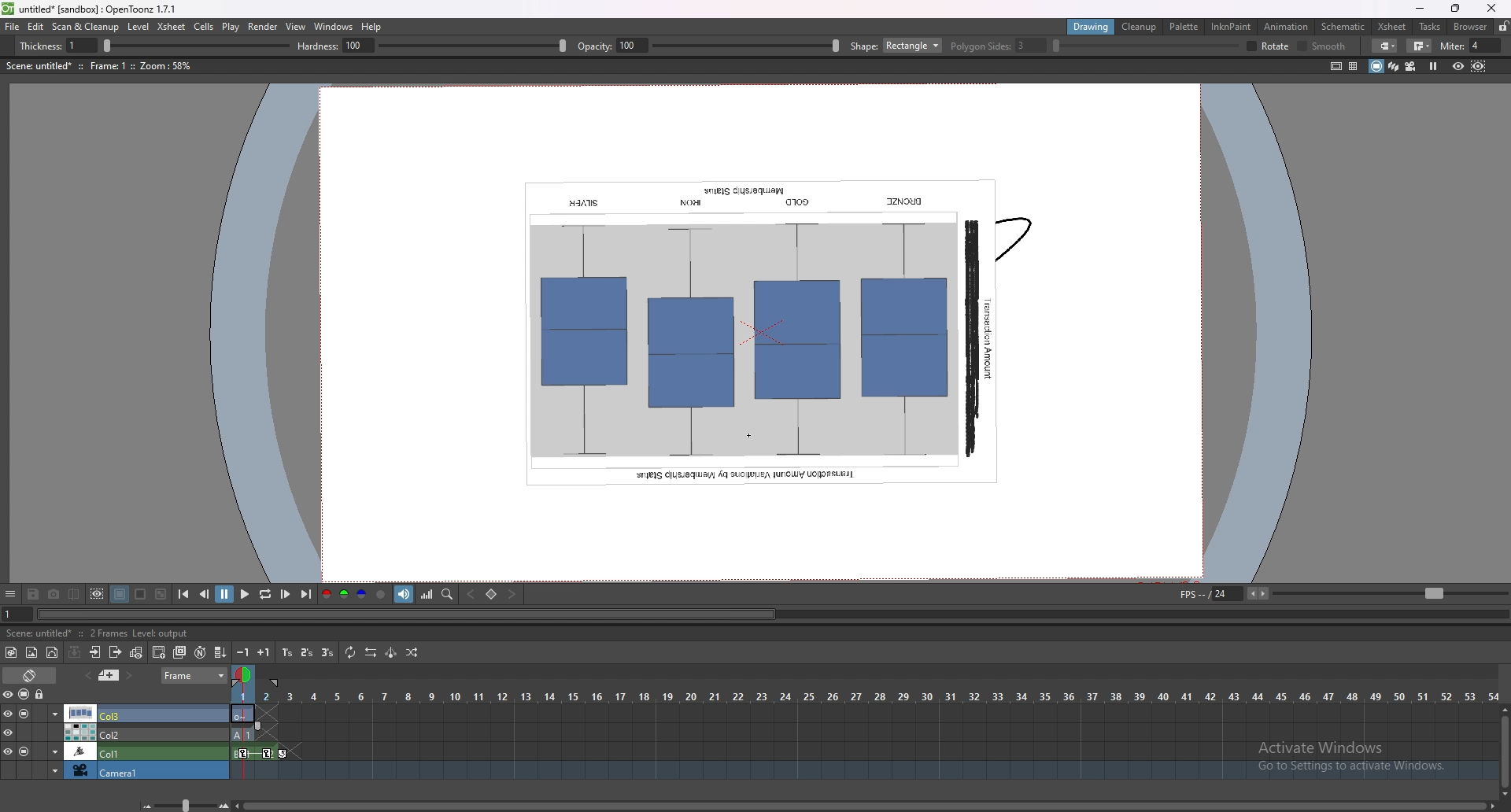 The height and width of the screenshot is (812, 1511). I want to click on xsheet, so click(172, 26).